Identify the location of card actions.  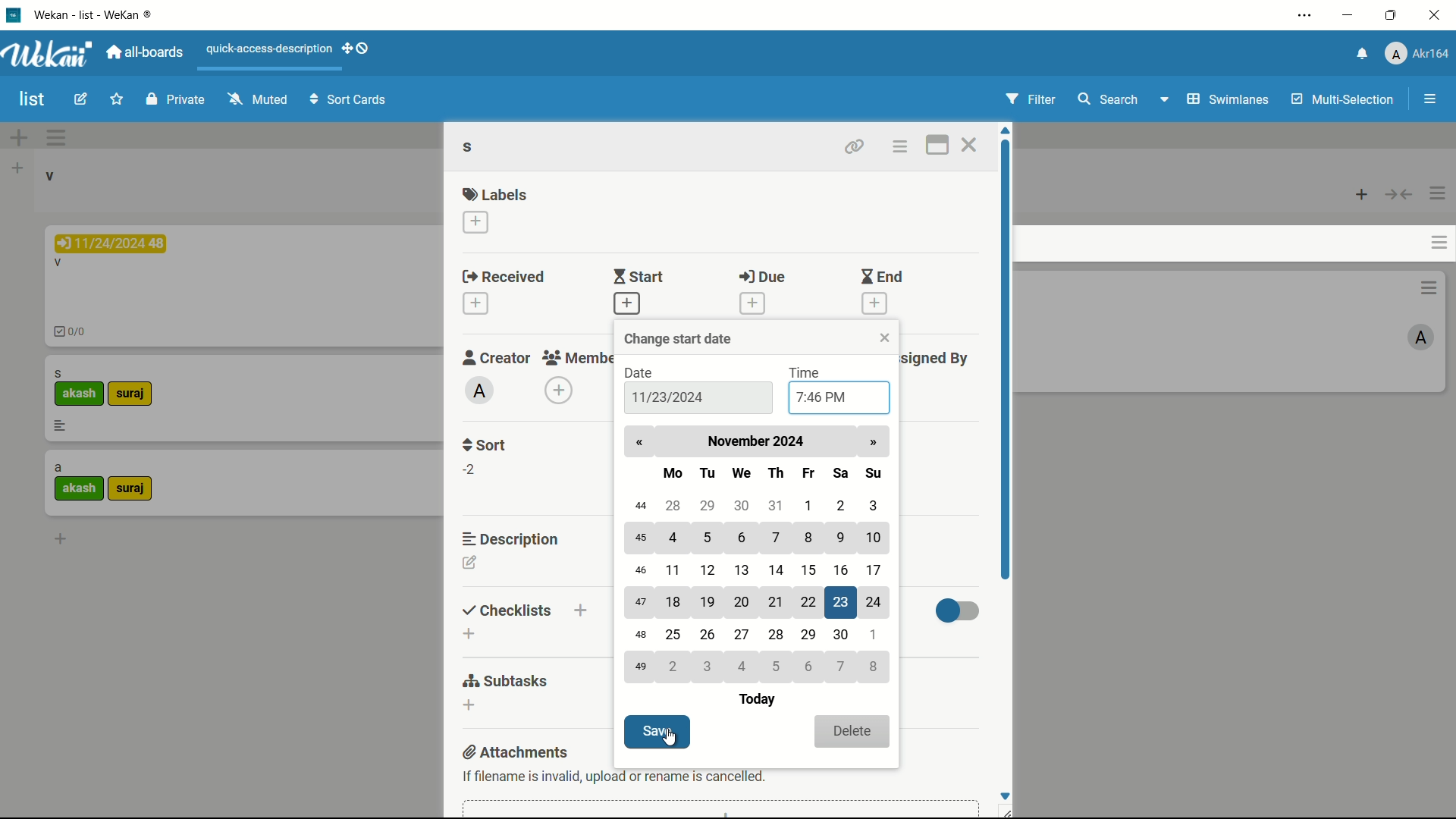
(900, 149).